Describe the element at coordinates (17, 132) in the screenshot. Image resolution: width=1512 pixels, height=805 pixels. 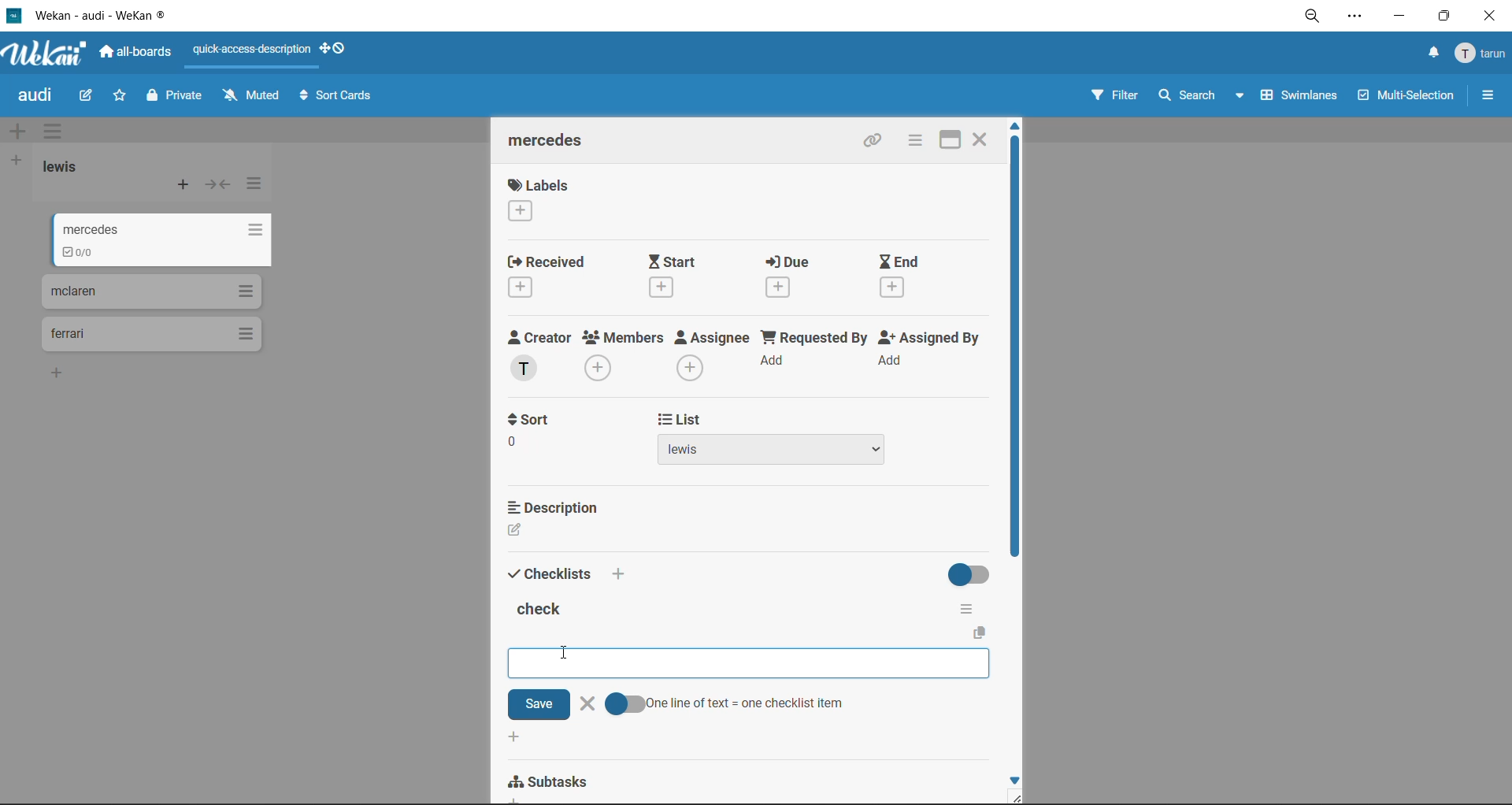
I see `add swimlane` at that location.